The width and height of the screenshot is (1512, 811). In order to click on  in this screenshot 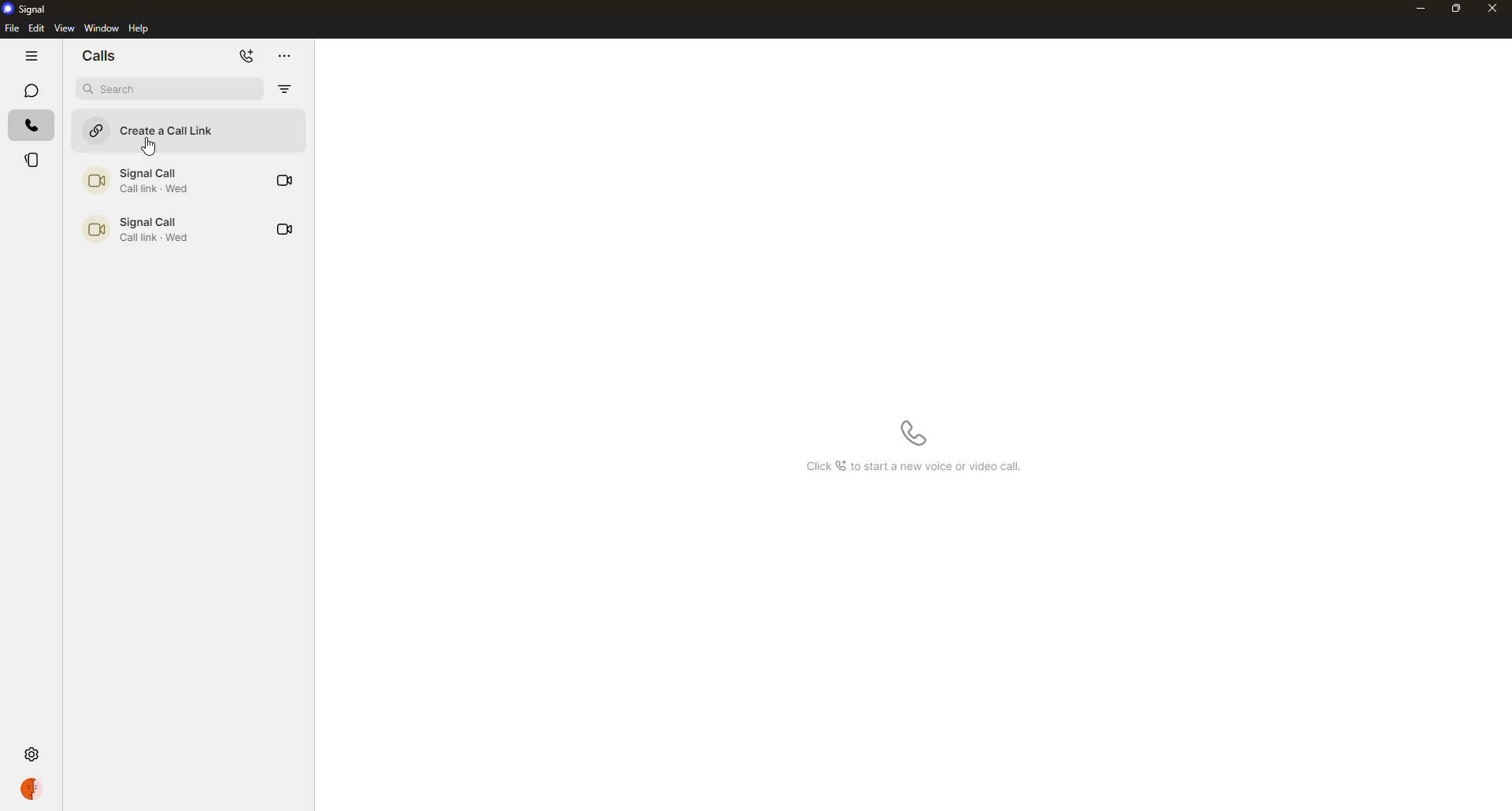, I will do `click(1414, 8)`.